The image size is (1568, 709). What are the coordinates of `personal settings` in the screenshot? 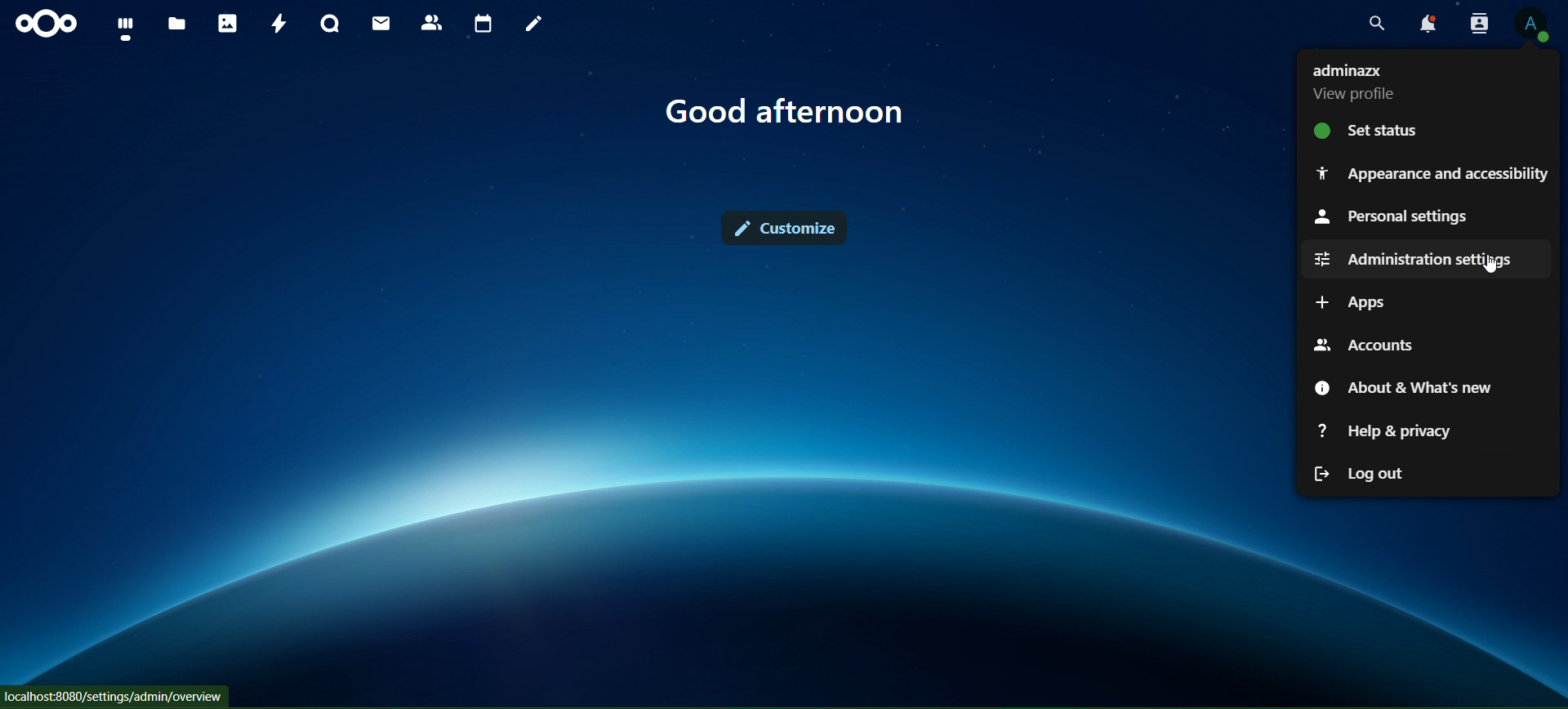 It's located at (1388, 218).